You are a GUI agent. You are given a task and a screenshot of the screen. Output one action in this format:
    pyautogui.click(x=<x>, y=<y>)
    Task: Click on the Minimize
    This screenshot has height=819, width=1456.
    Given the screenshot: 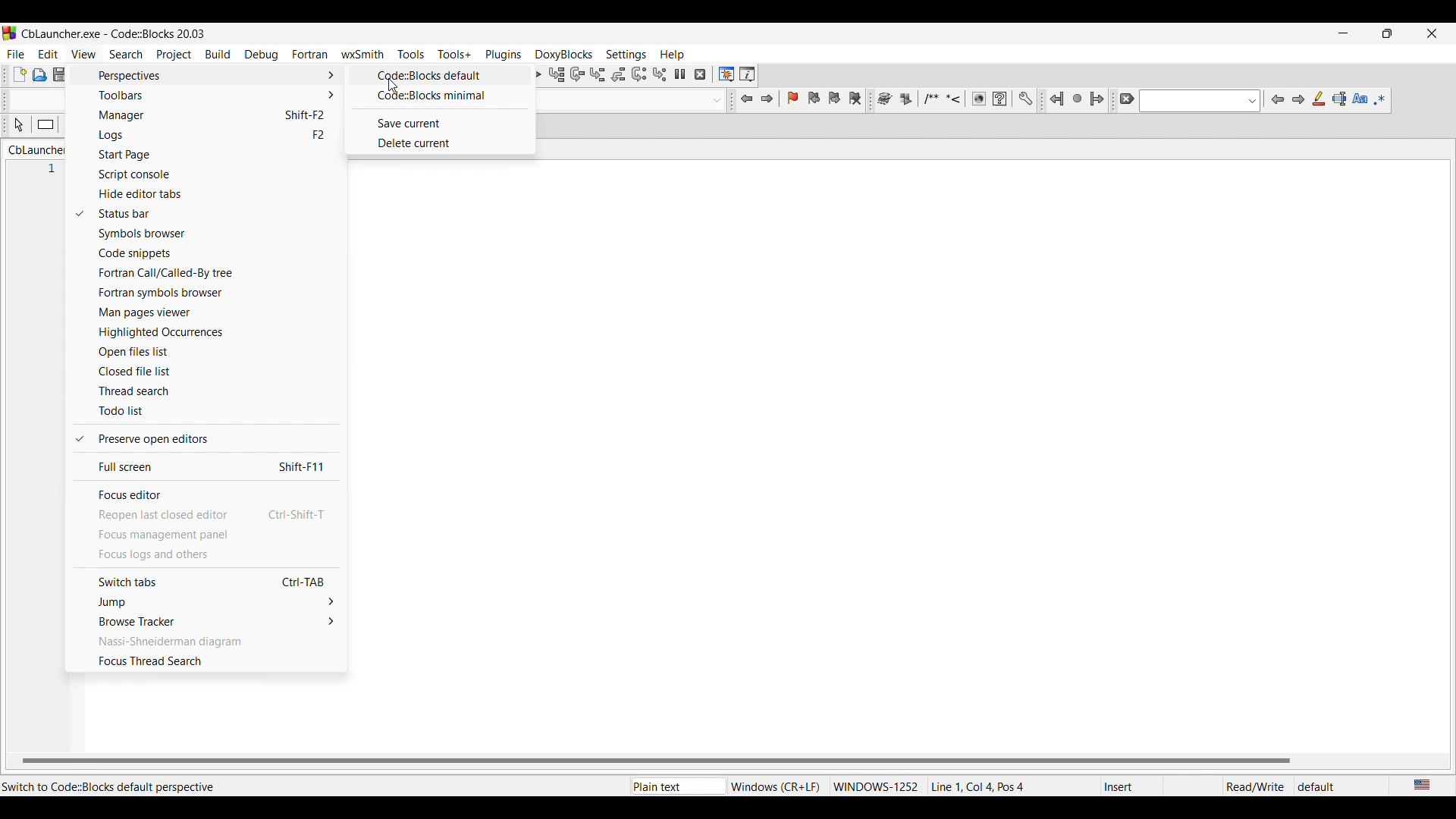 What is the action you would take?
    pyautogui.click(x=1343, y=33)
    